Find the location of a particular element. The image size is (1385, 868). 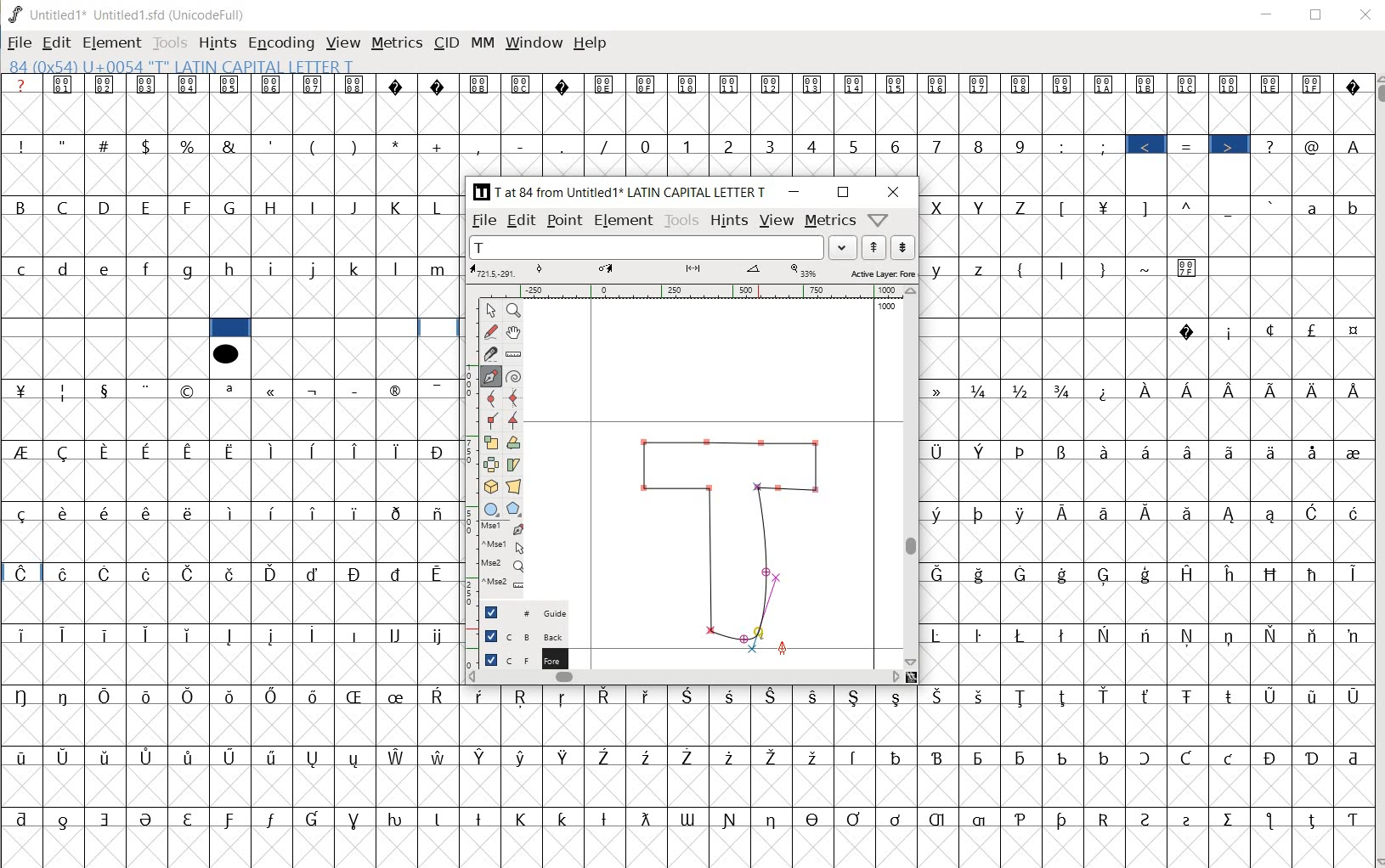

Symbol is located at coordinates (398, 757).